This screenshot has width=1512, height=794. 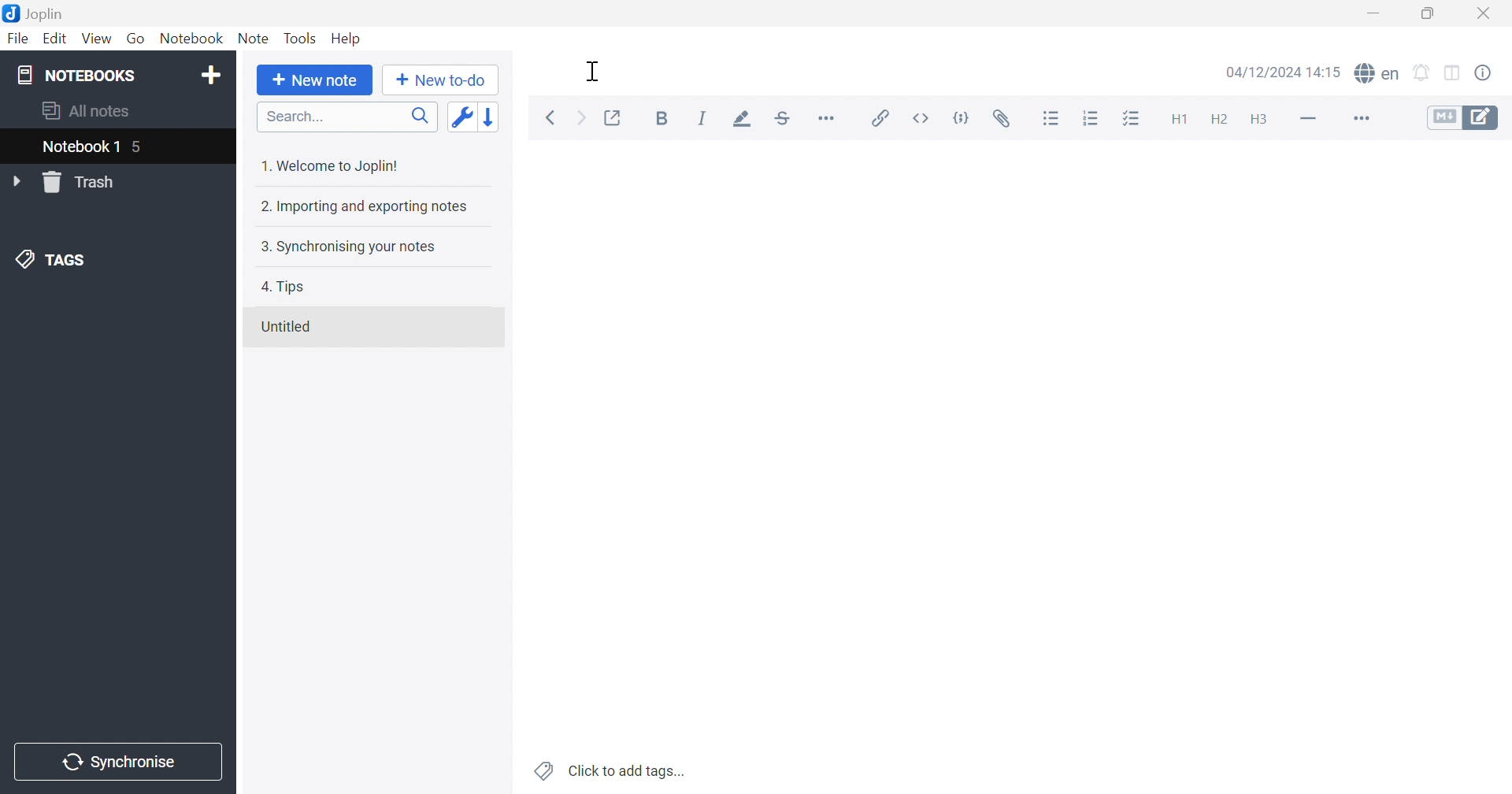 What do you see at coordinates (784, 119) in the screenshot?
I see `Strikethrough` at bounding box center [784, 119].